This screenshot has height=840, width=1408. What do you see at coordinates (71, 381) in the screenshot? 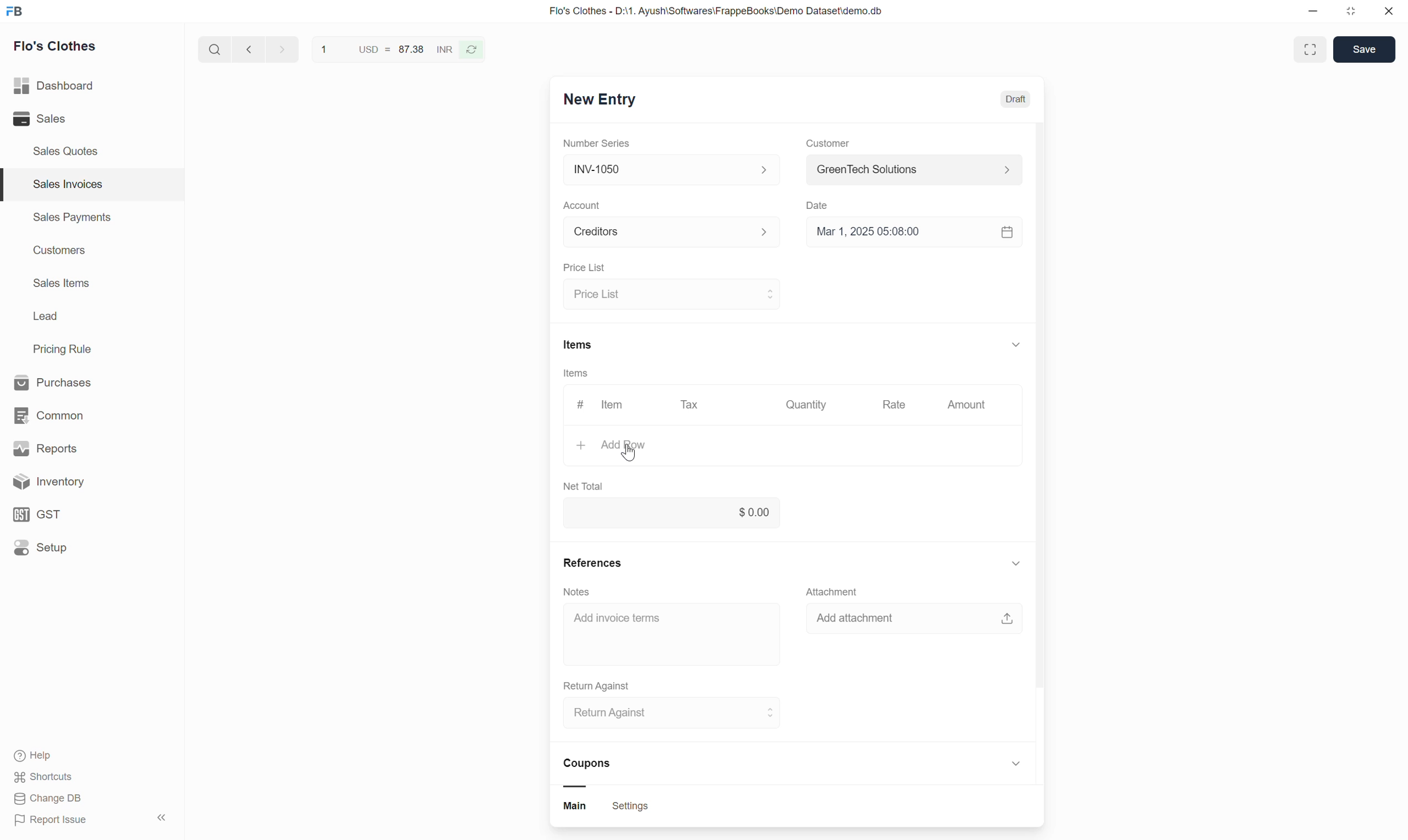
I see `Purchases ` at bounding box center [71, 381].